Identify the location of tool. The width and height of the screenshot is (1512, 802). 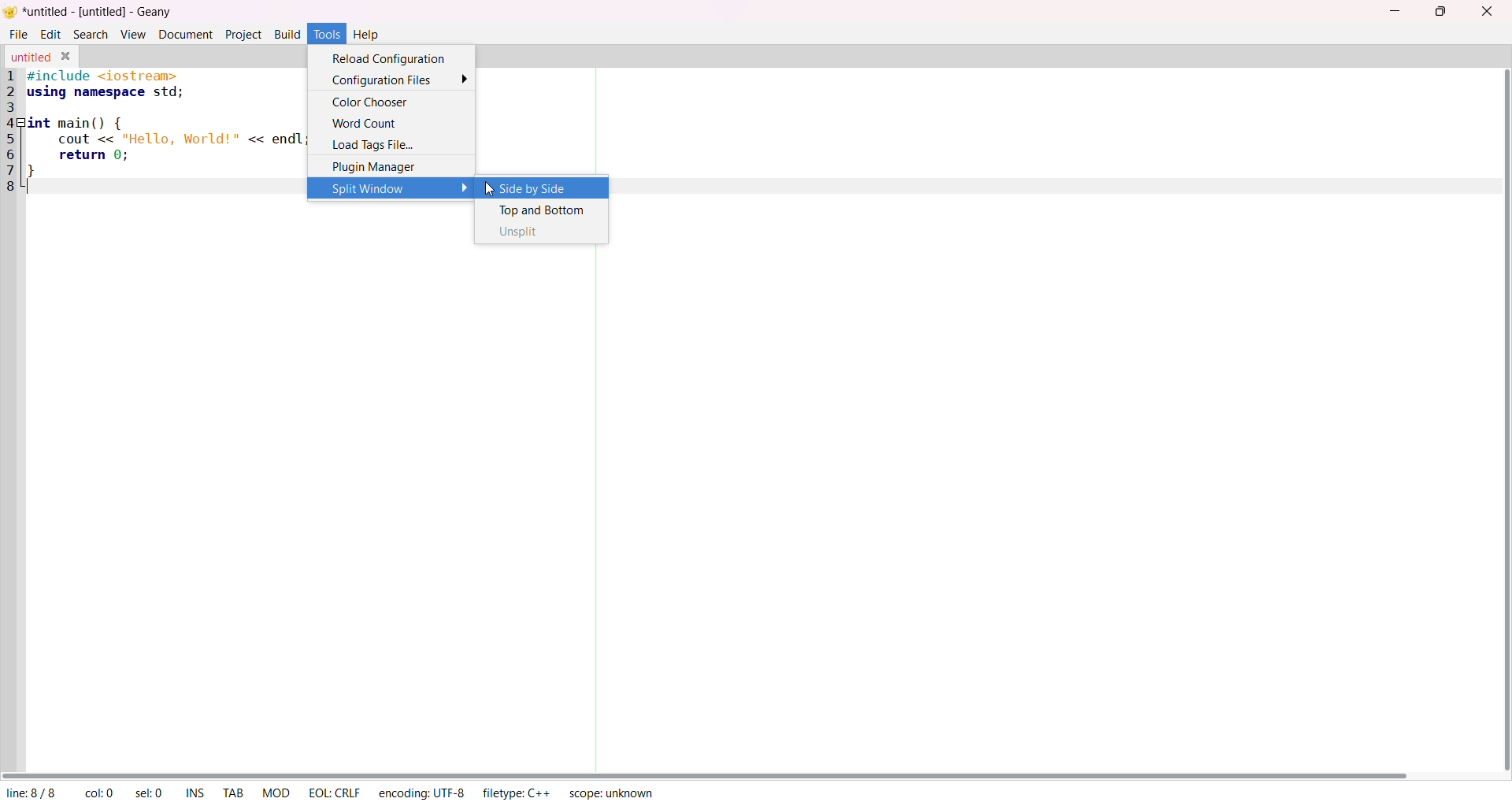
(326, 33).